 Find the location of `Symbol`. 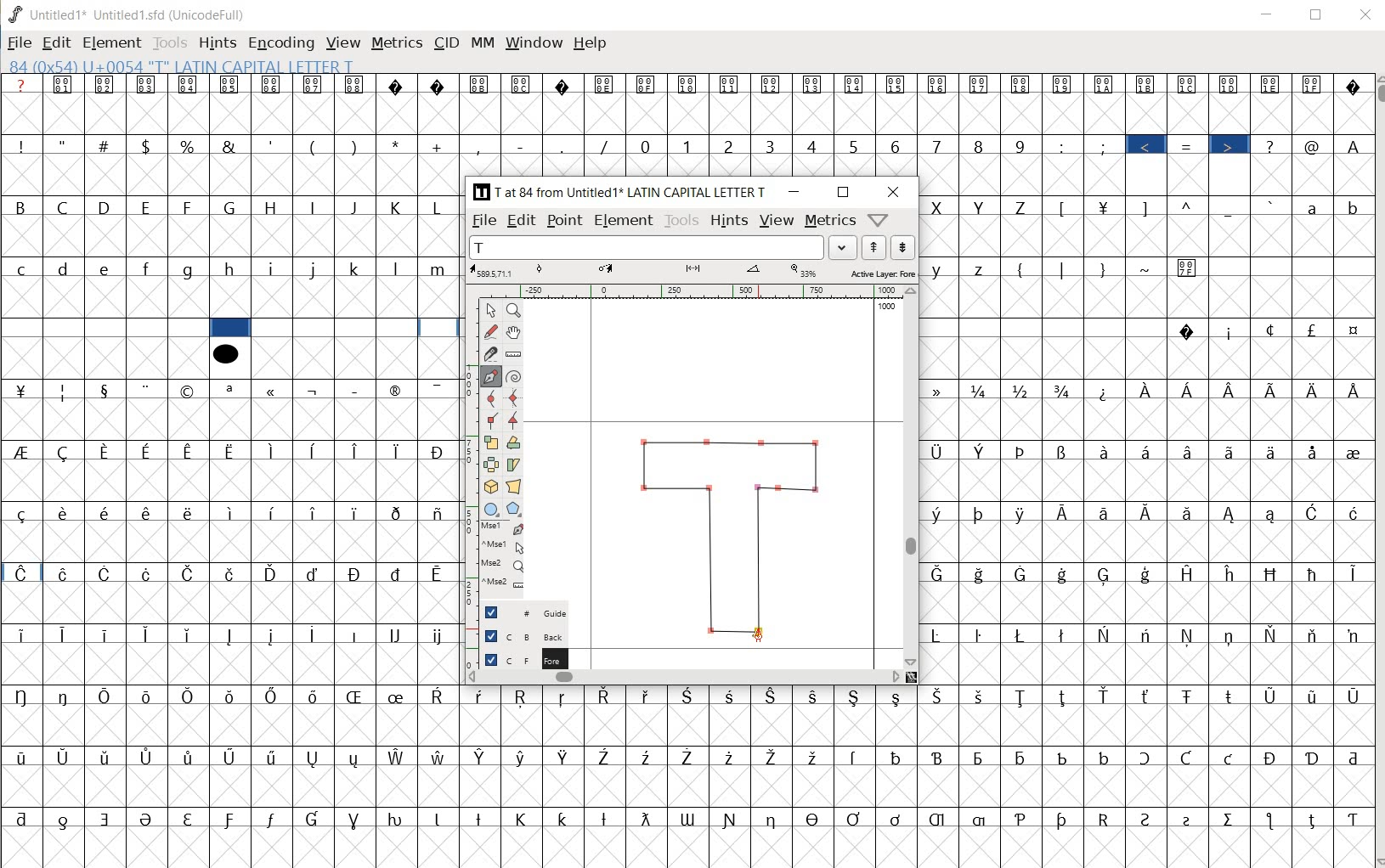

Symbol is located at coordinates (1193, 573).